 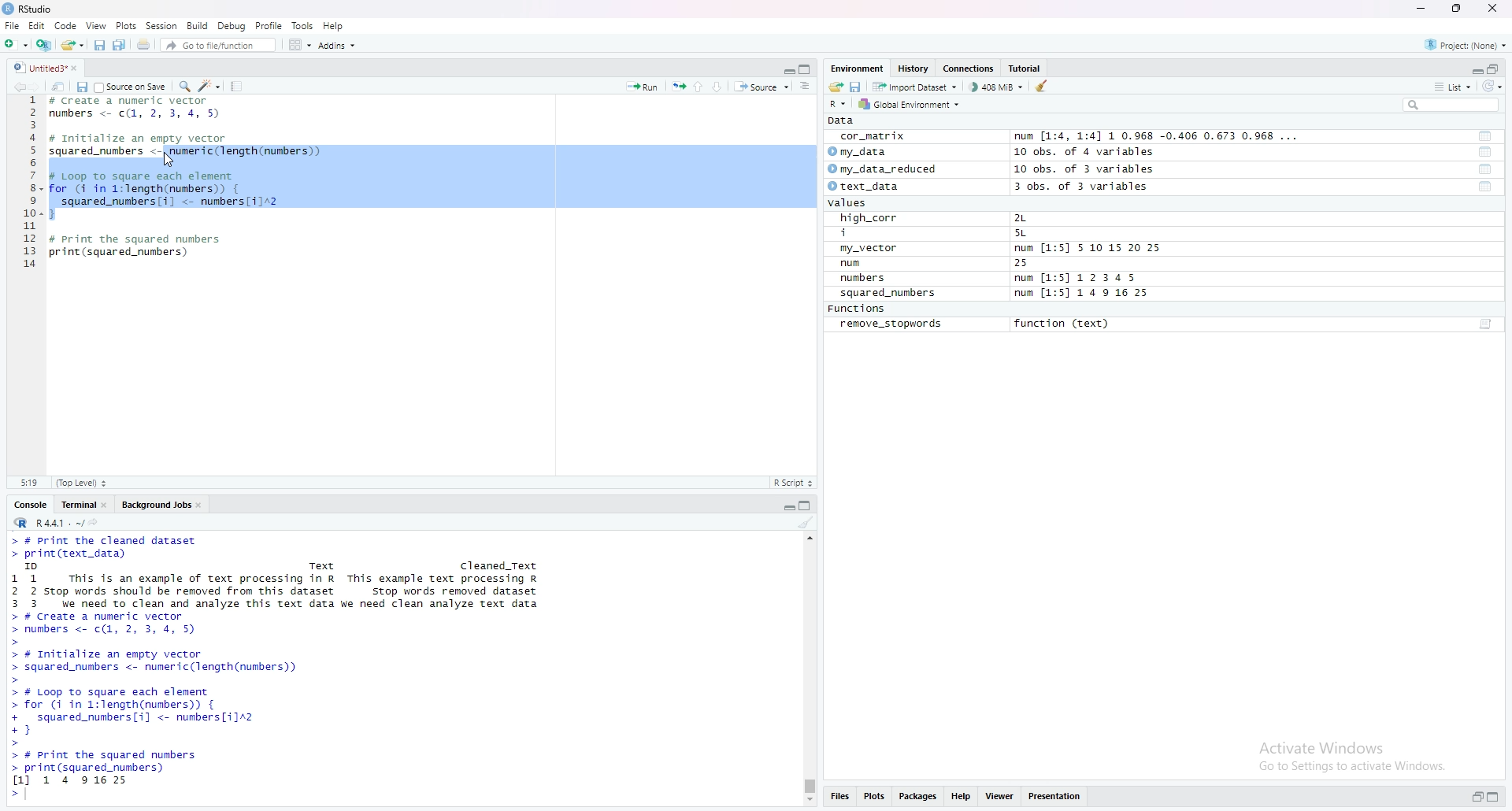 What do you see at coordinates (806, 522) in the screenshot?
I see `clear console` at bounding box center [806, 522].